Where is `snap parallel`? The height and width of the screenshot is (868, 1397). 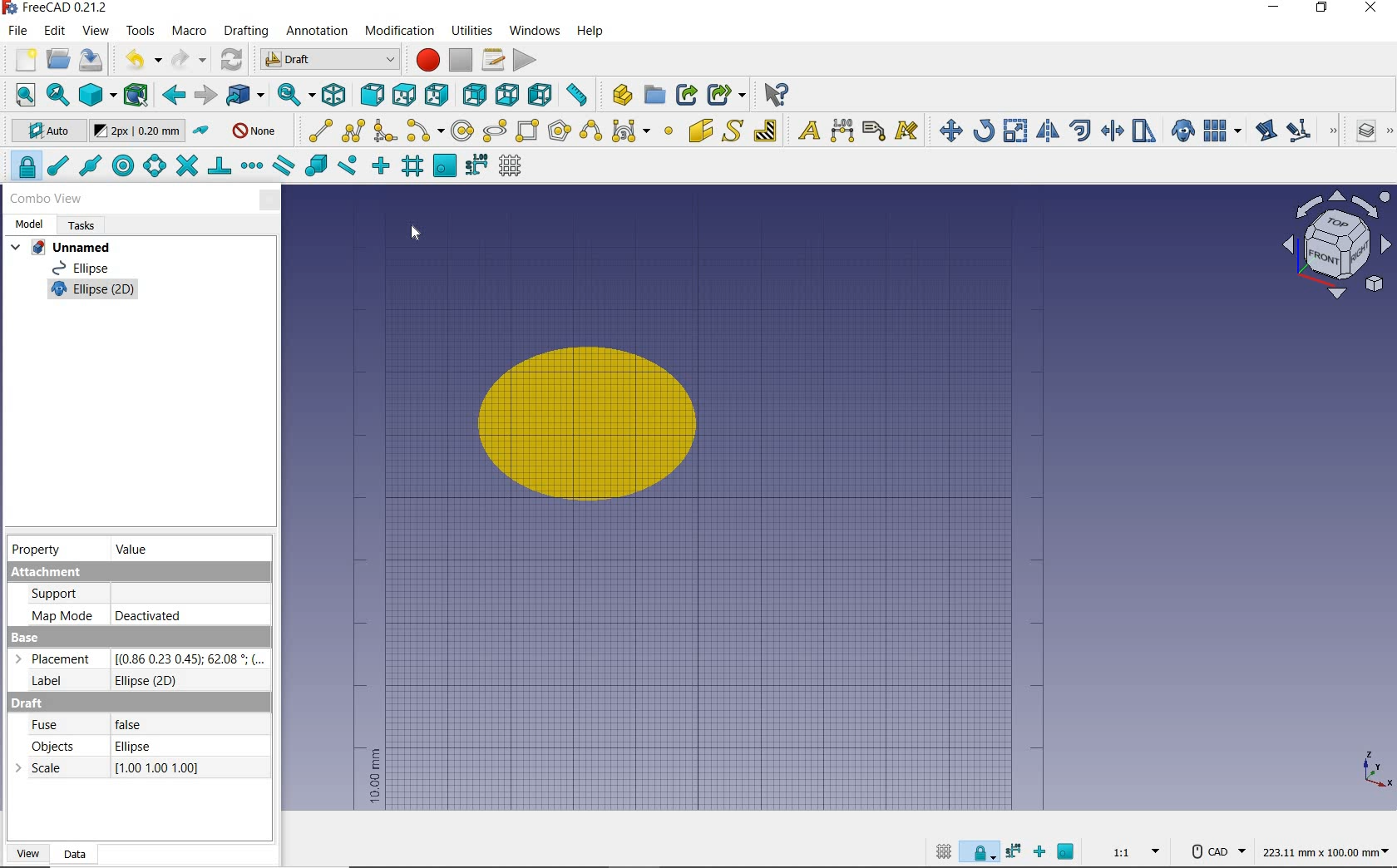 snap parallel is located at coordinates (284, 165).